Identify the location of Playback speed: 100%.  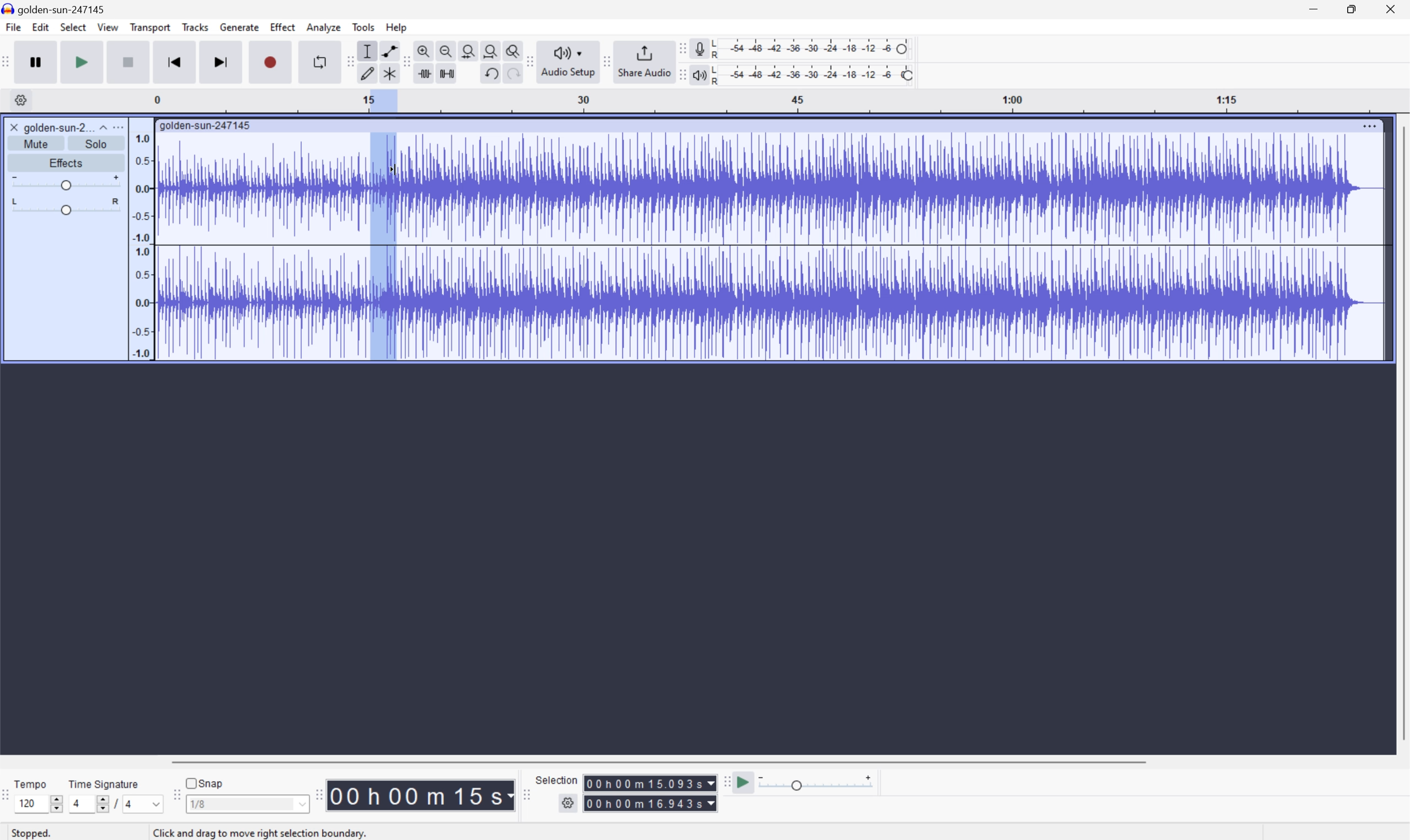
(814, 73).